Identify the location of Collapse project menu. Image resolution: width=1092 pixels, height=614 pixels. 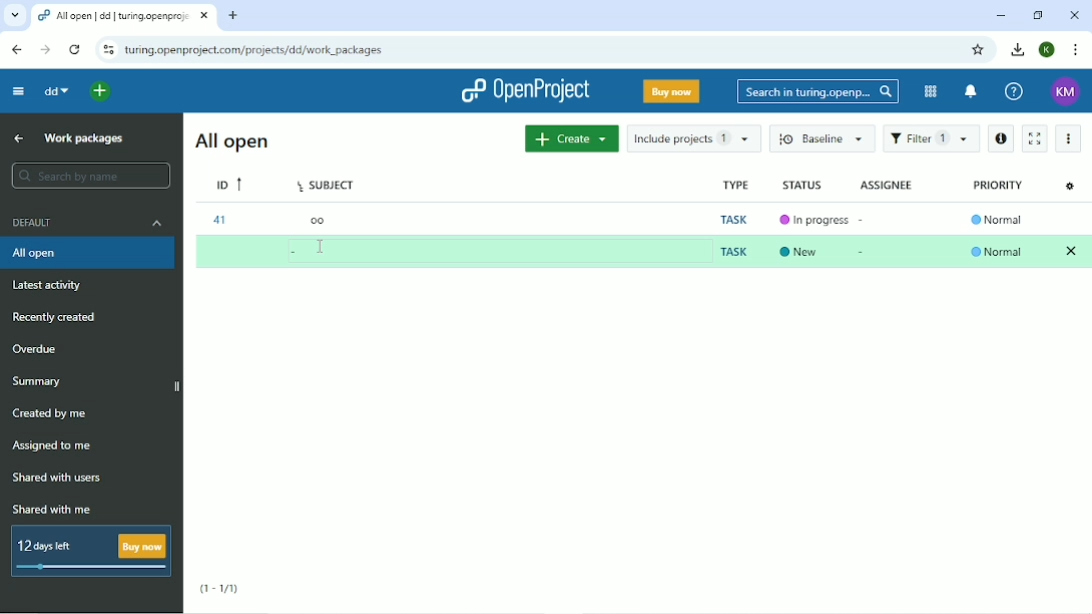
(19, 92).